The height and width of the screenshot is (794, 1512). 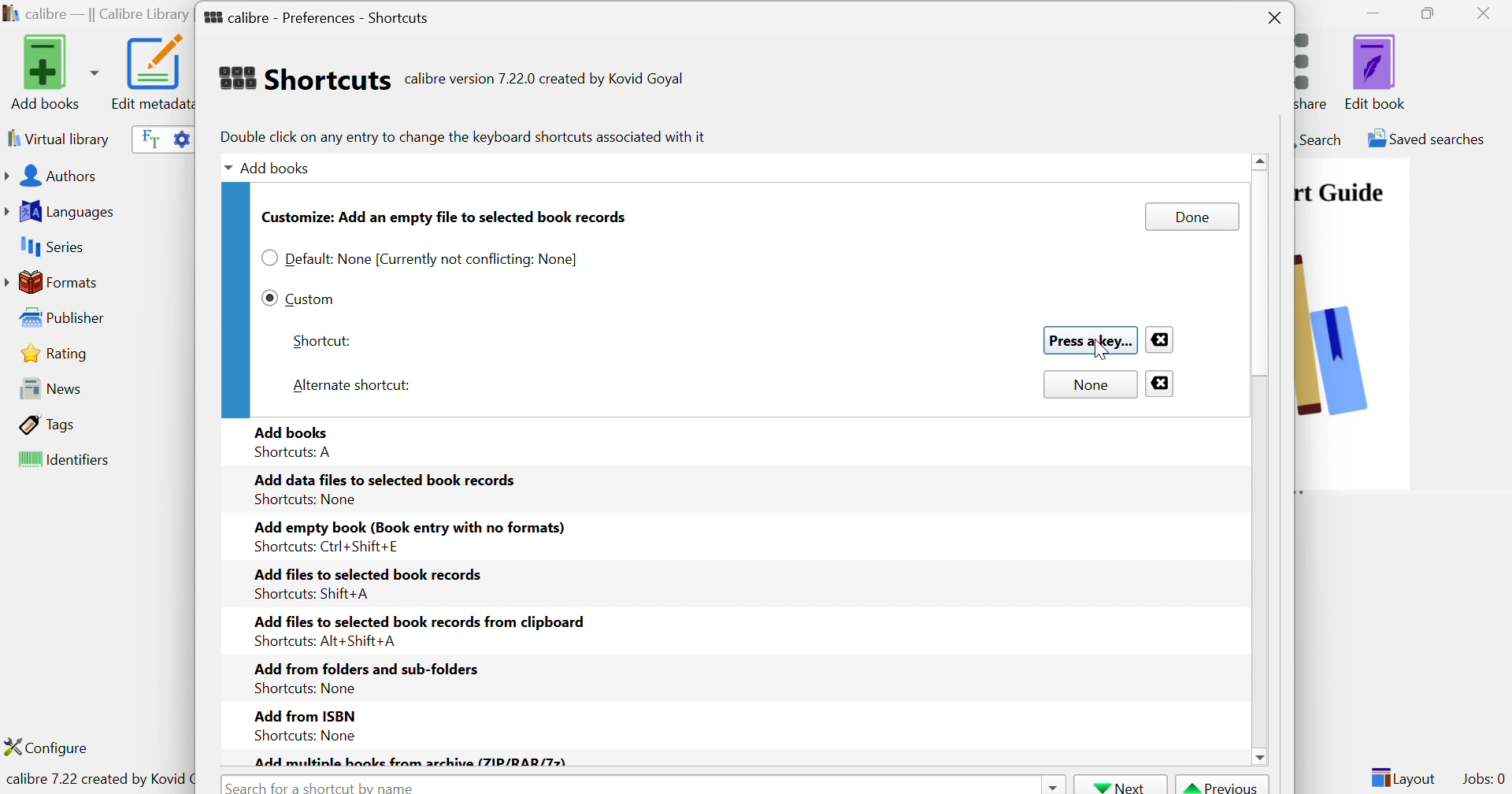 I want to click on Done, so click(x=1191, y=217).